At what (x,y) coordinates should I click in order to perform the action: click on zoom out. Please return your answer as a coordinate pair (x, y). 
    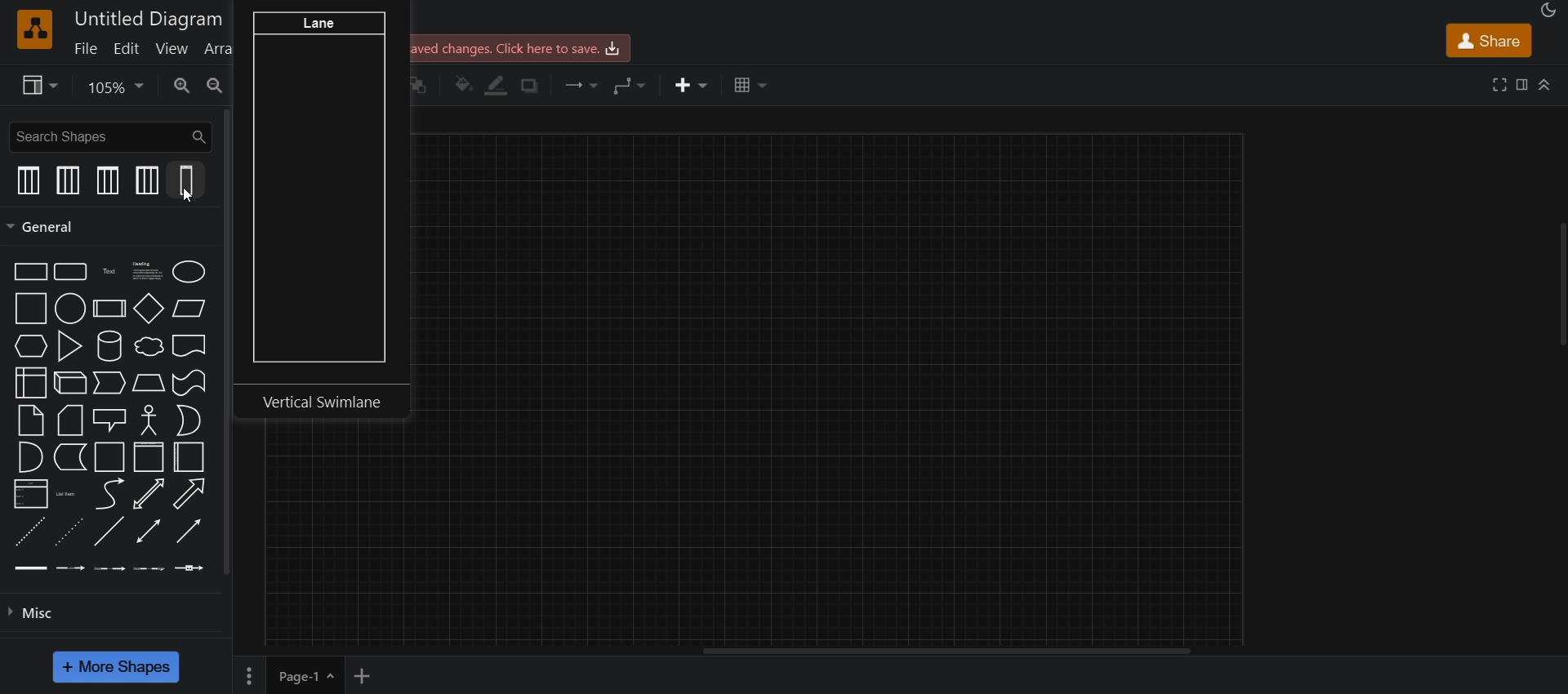
    Looking at the image, I should click on (216, 87).